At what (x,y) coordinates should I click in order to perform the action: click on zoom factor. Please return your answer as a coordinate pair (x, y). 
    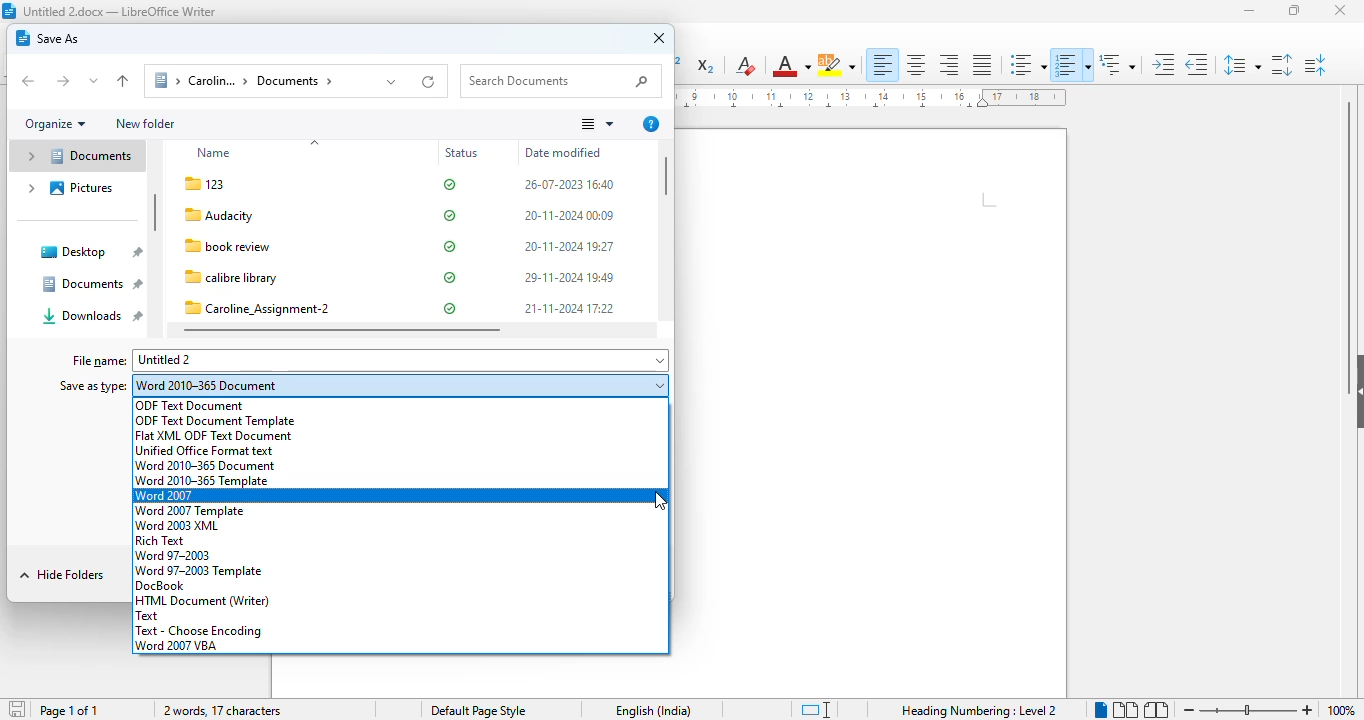
    Looking at the image, I should click on (1341, 710).